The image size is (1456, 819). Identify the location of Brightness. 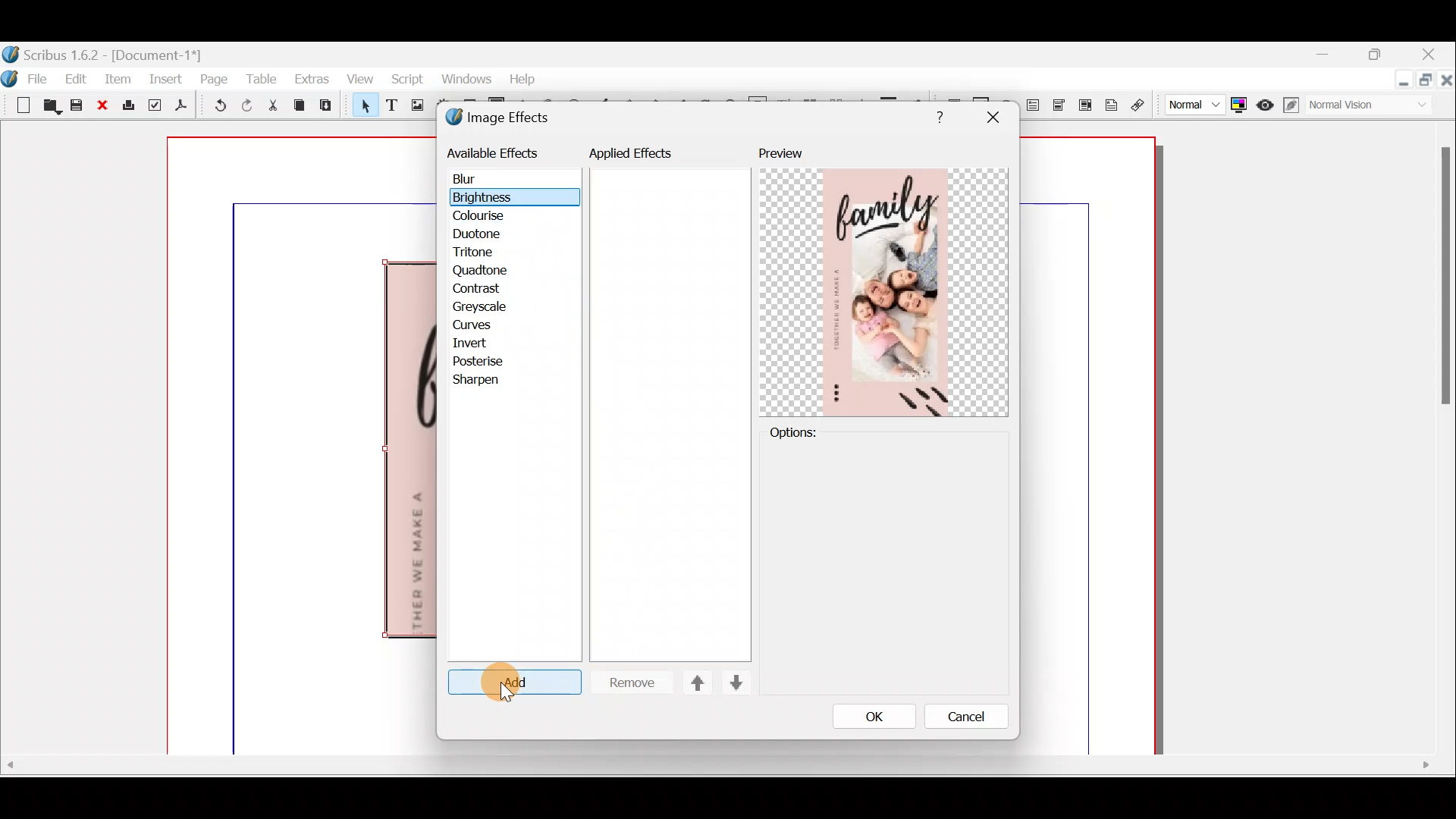
(502, 196).